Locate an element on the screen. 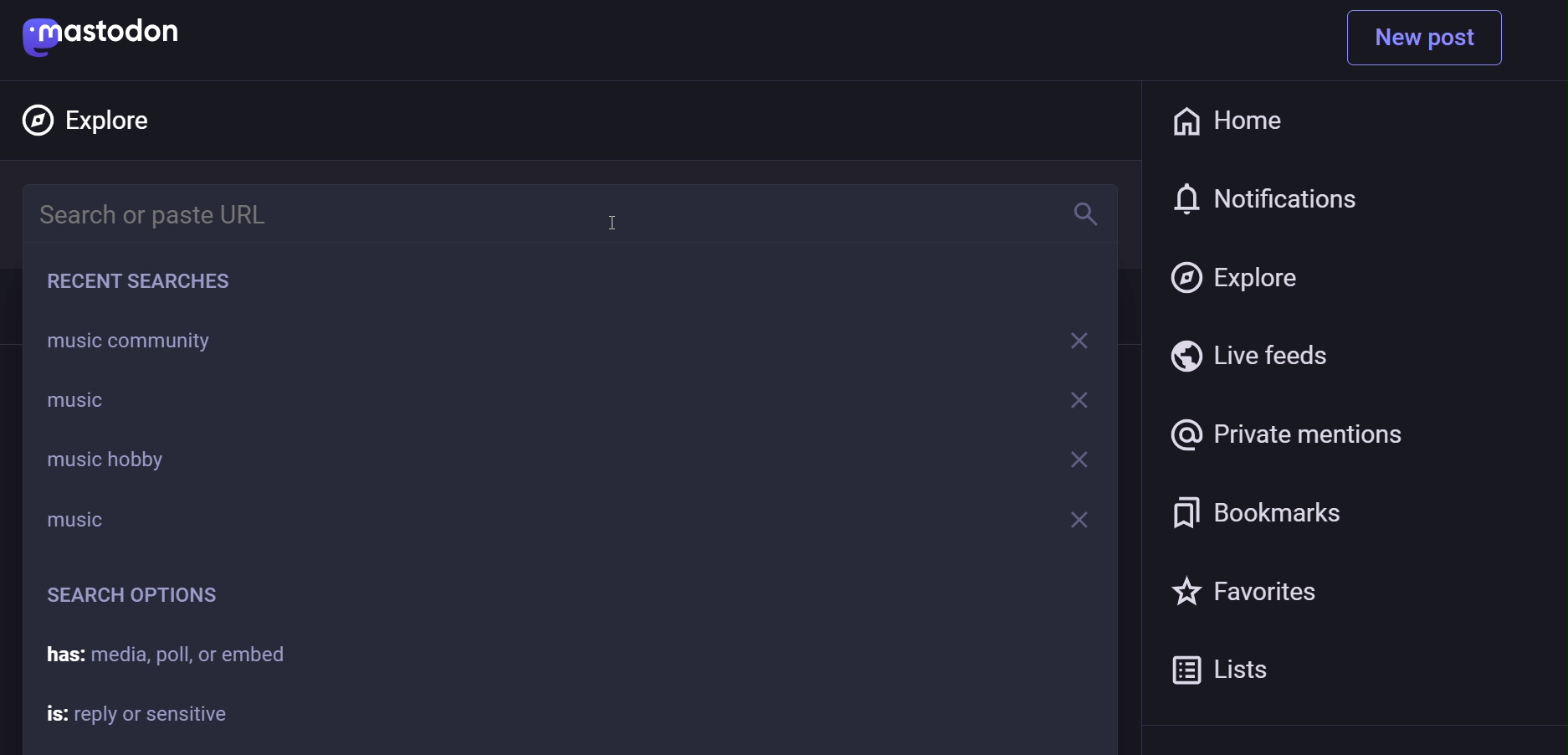 The height and width of the screenshot is (755, 1568). live feed is located at coordinates (1252, 355).